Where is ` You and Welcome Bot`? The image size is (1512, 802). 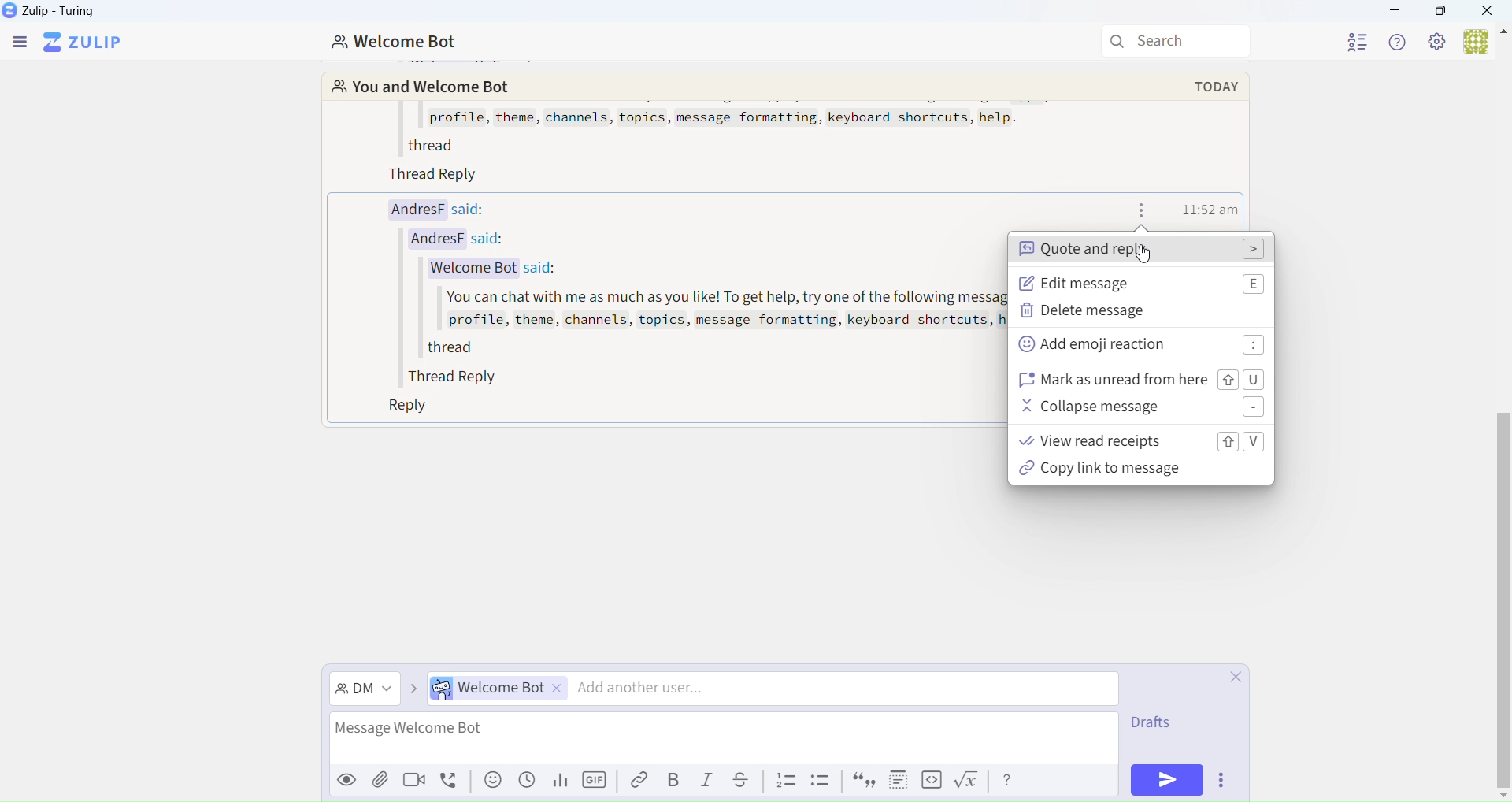  You and Welcome Bot is located at coordinates (417, 88).